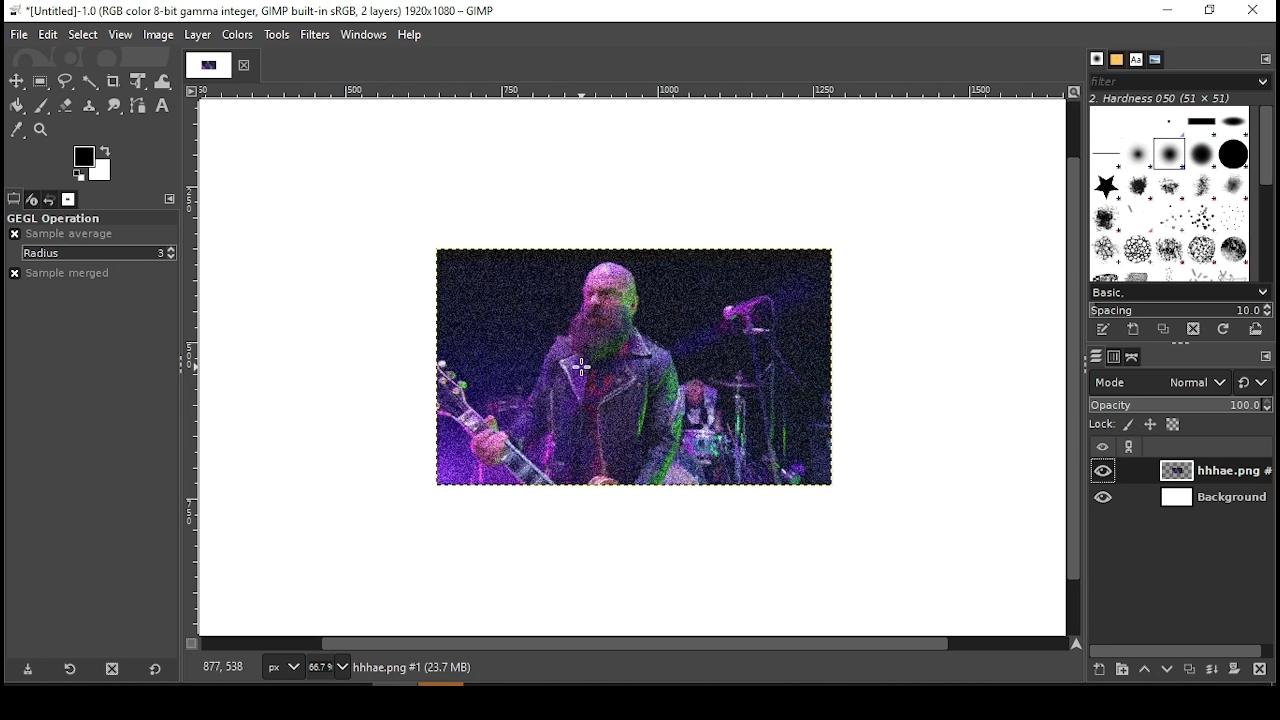 This screenshot has width=1280, height=720. Describe the element at coordinates (1171, 194) in the screenshot. I see `brushes` at that location.